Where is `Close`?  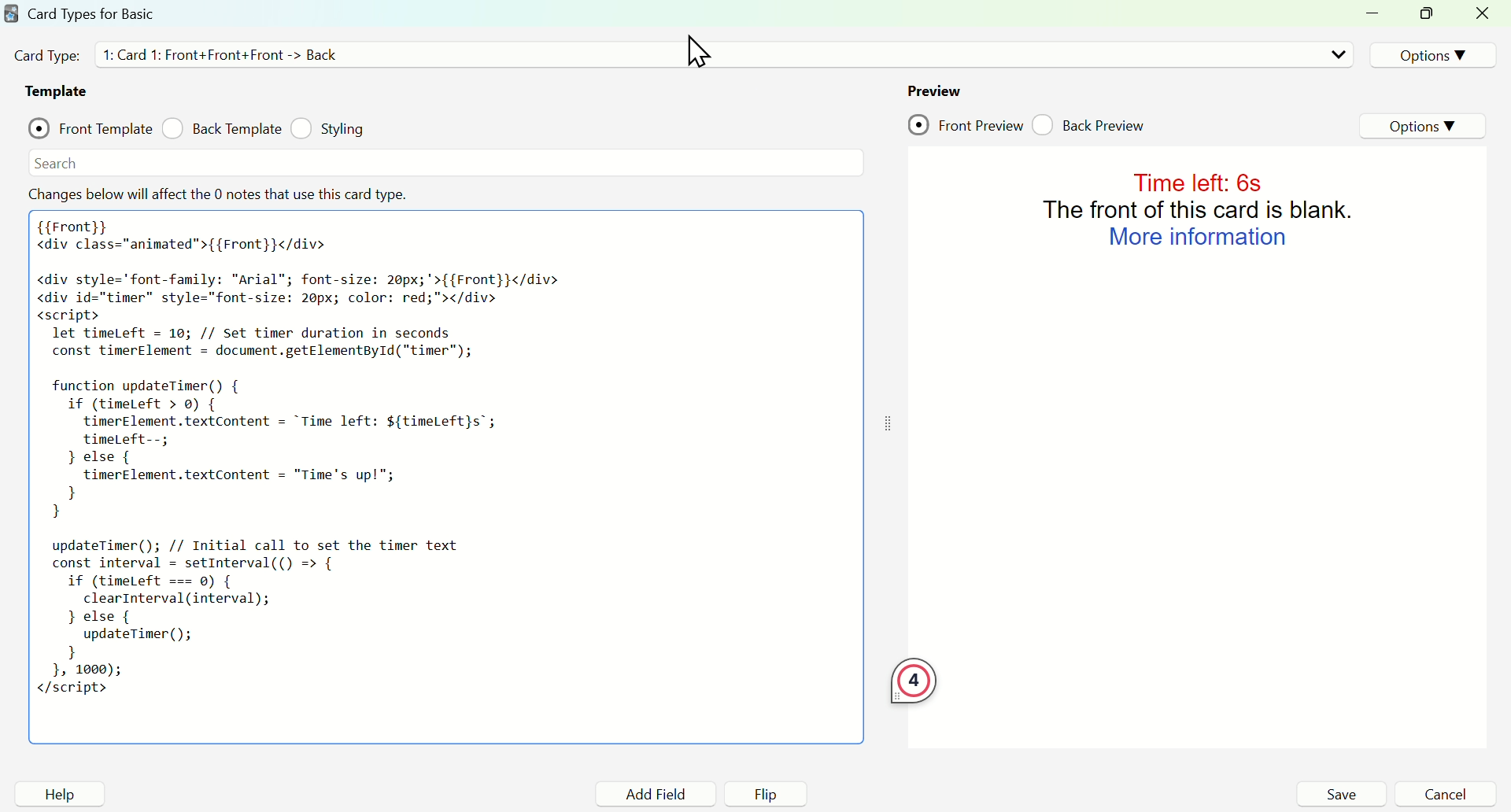
Close is located at coordinates (1485, 14).